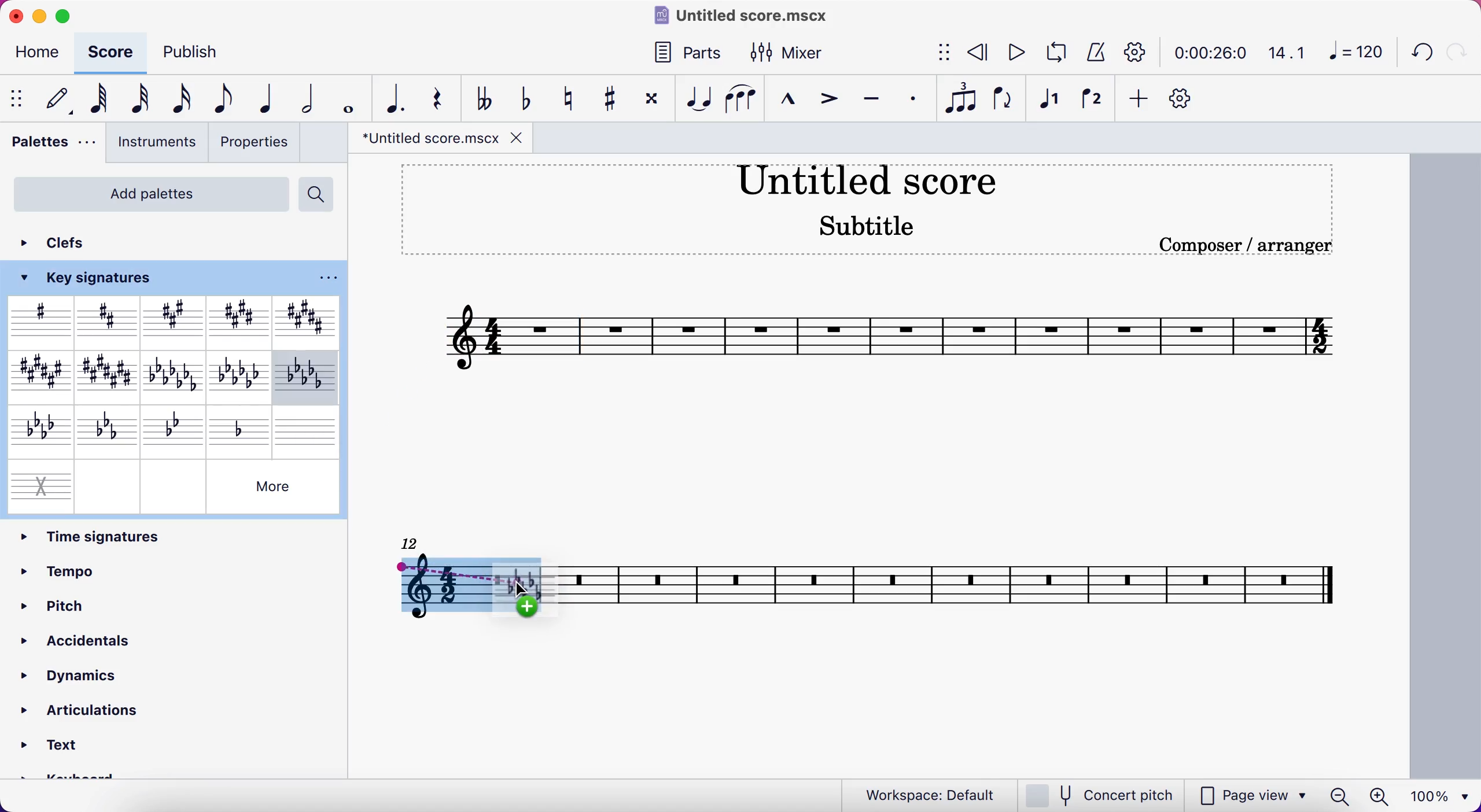 This screenshot has width=1481, height=812. What do you see at coordinates (396, 97) in the screenshot?
I see `augmentation note` at bounding box center [396, 97].